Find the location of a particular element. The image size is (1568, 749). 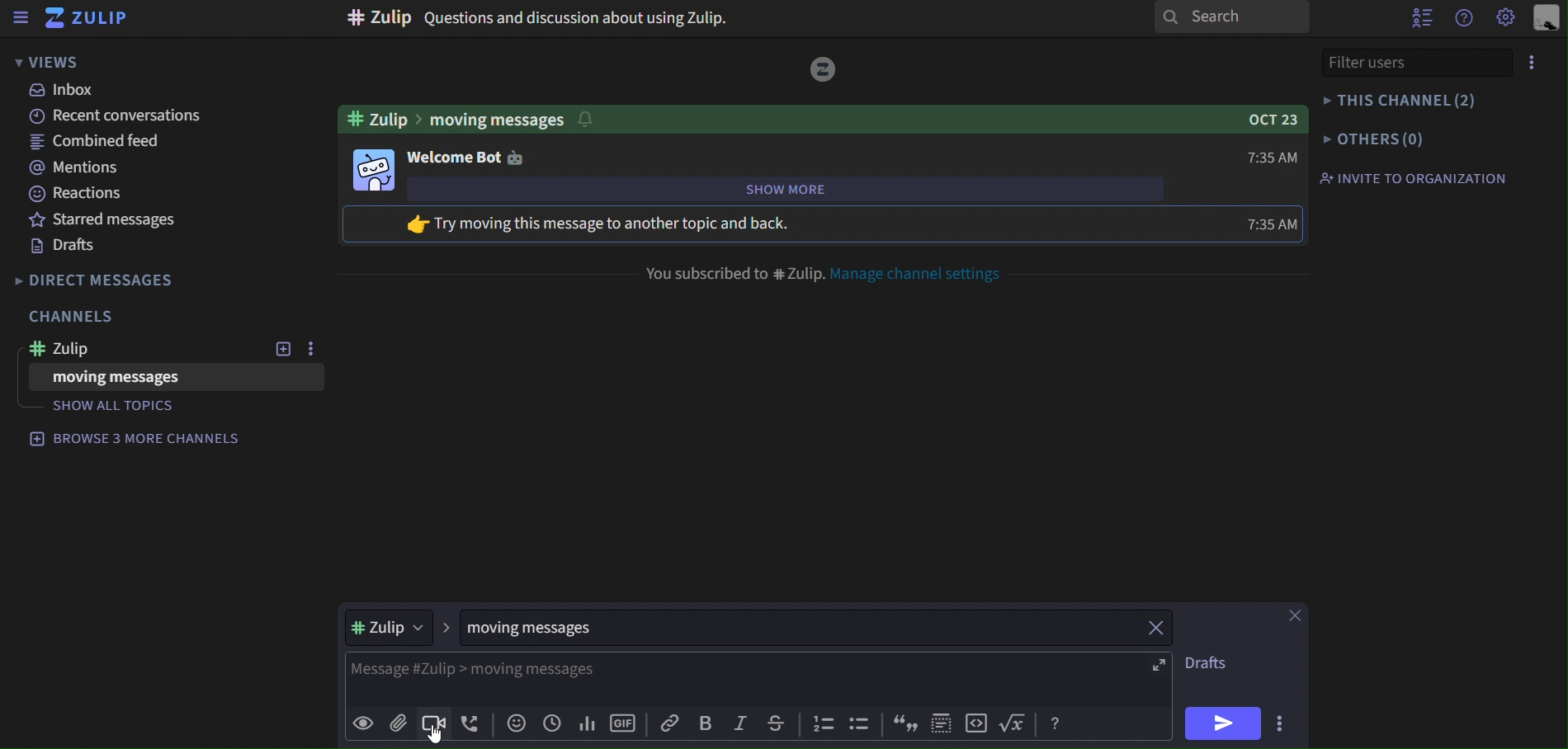

7:35 AM is located at coordinates (1265, 161).